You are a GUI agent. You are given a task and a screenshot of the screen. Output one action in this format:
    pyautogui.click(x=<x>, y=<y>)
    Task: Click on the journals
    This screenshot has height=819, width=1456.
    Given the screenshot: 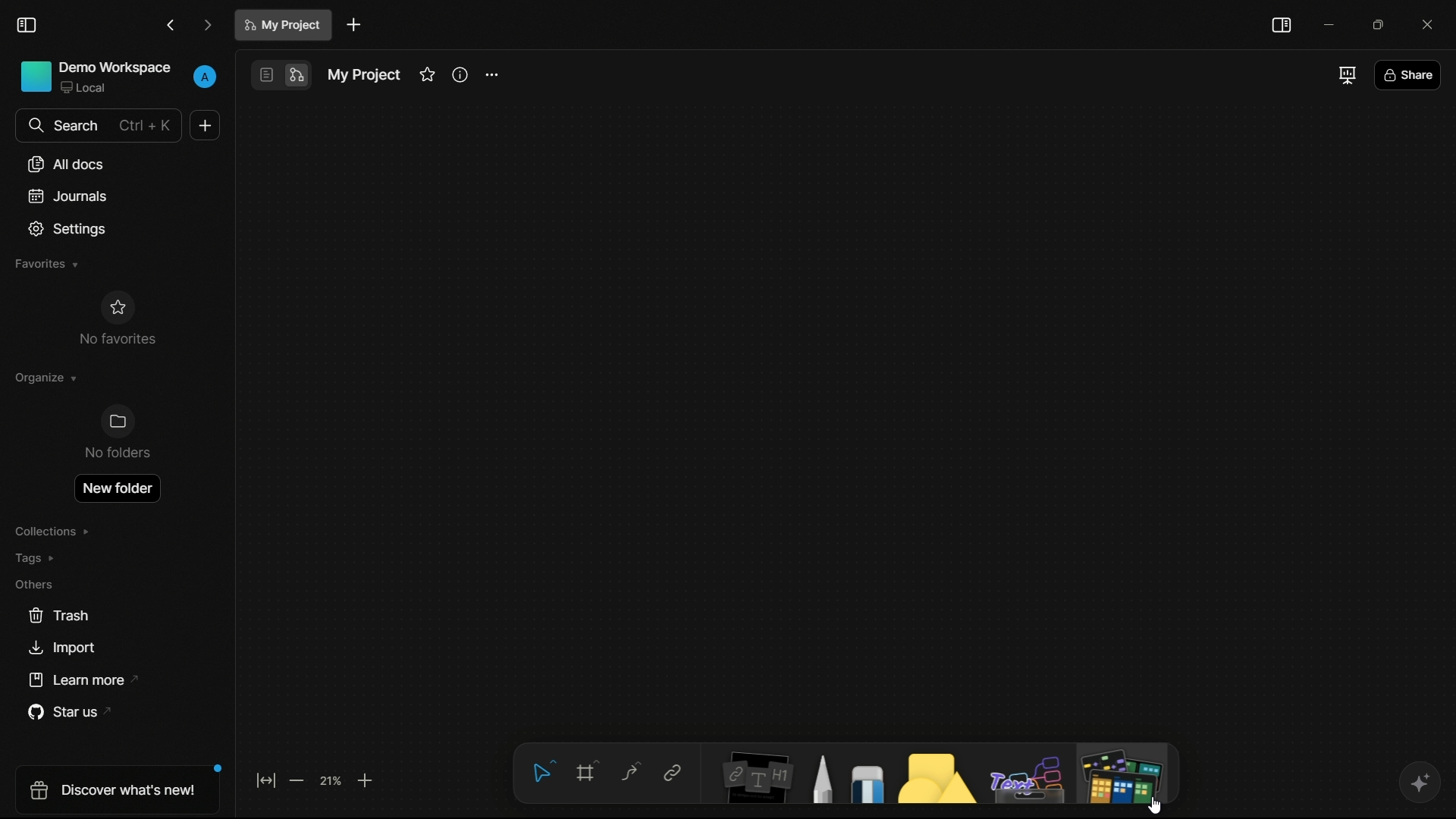 What is the action you would take?
    pyautogui.click(x=65, y=196)
    